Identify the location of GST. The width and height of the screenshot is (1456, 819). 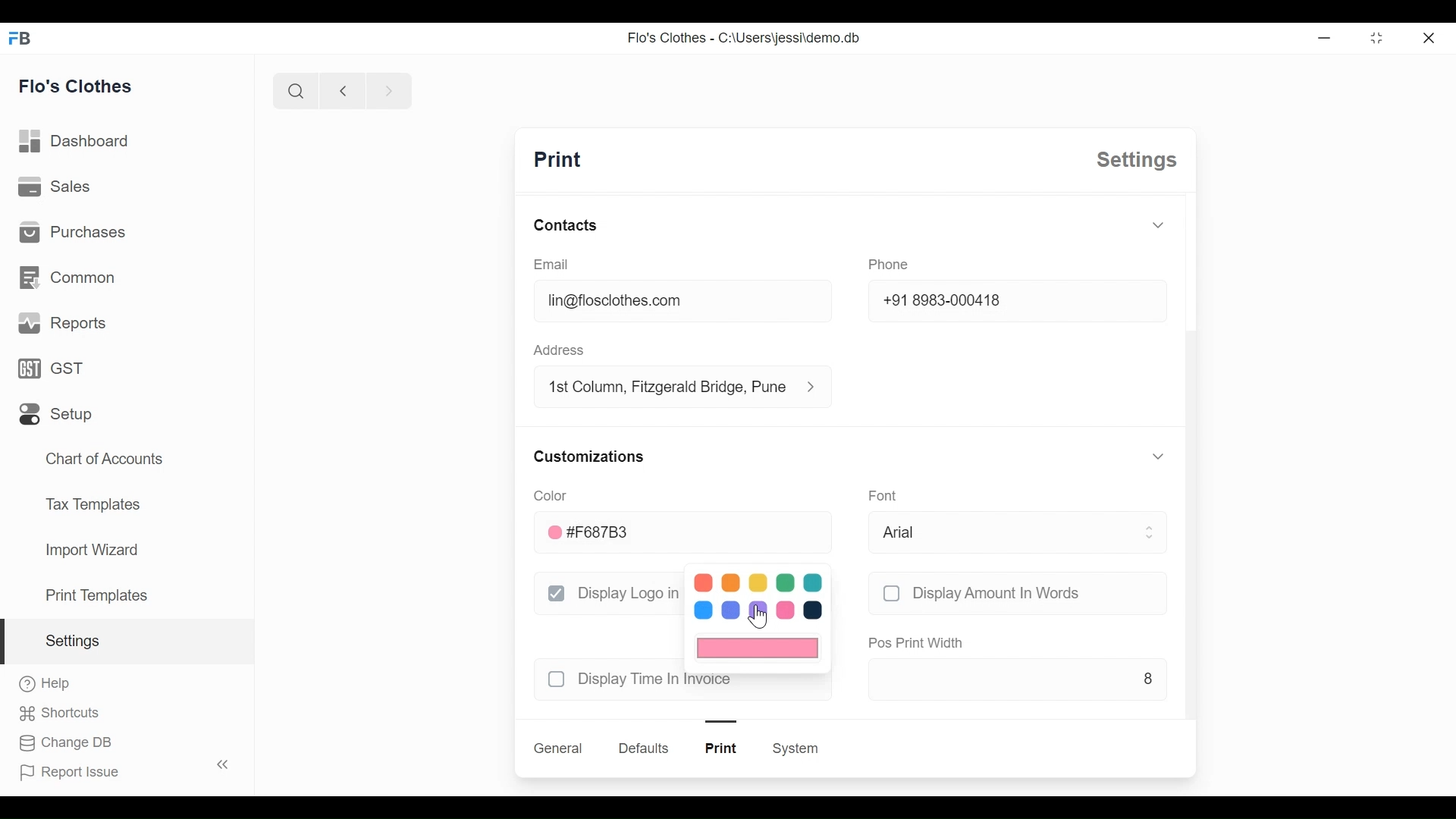
(50, 368).